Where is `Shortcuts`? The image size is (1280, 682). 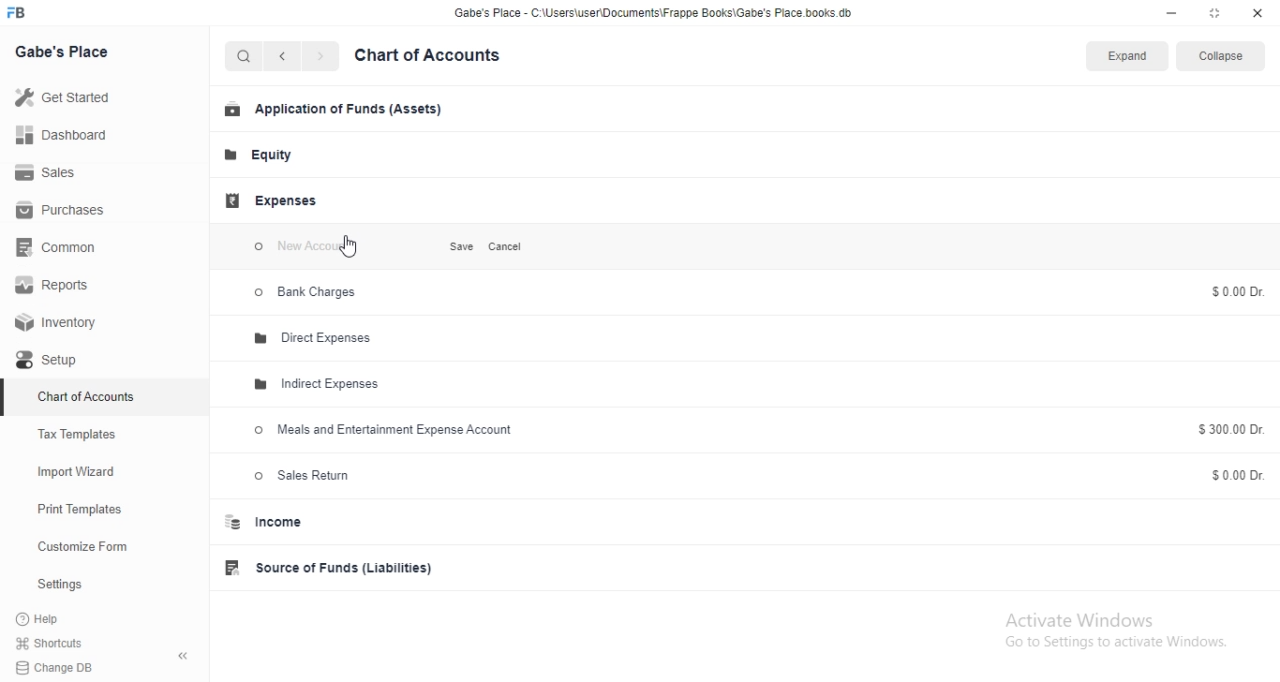
Shortcuts is located at coordinates (107, 645).